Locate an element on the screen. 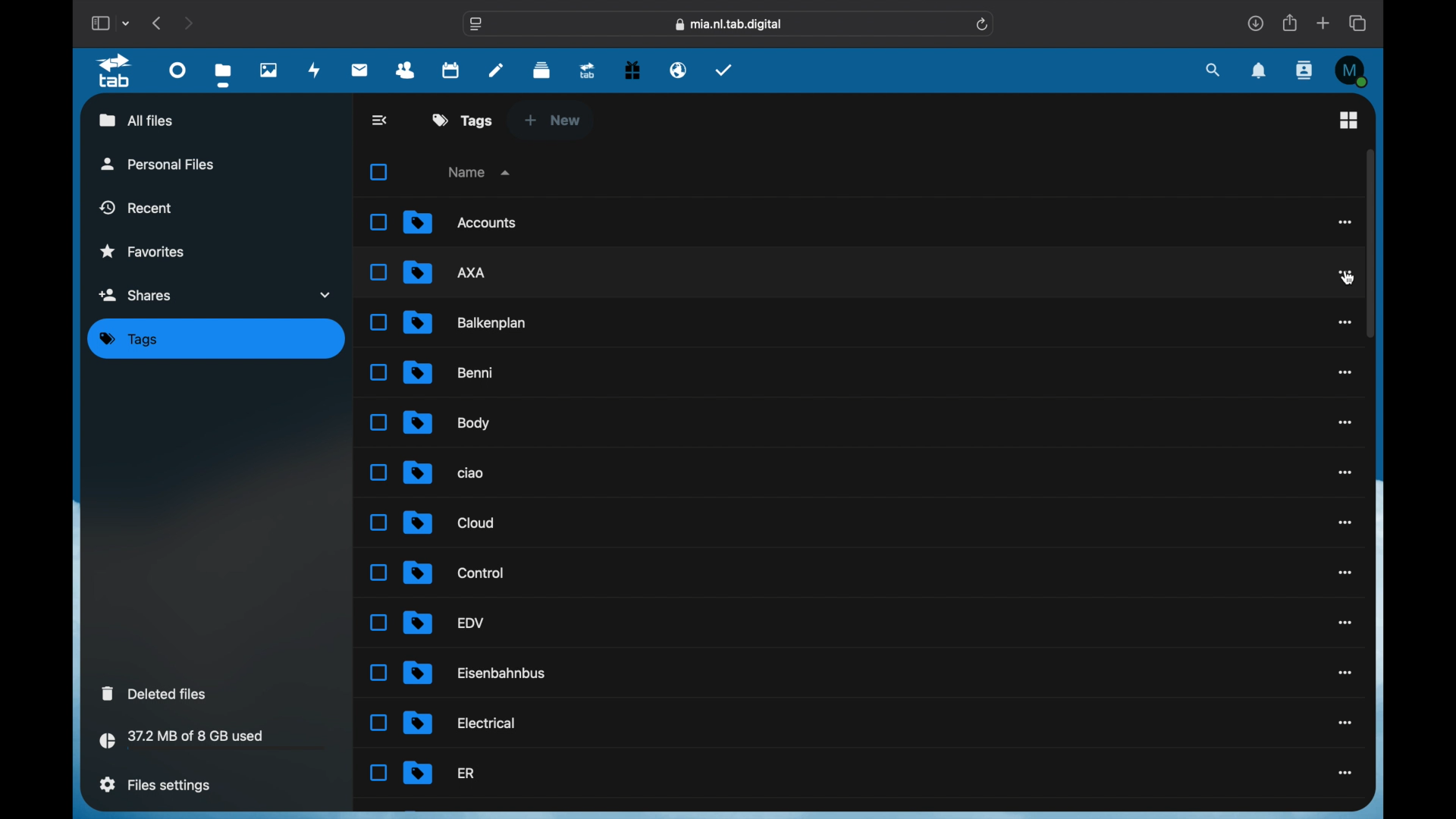 The height and width of the screenshot is (819, 1456). file is located at coordinates (477, 673).